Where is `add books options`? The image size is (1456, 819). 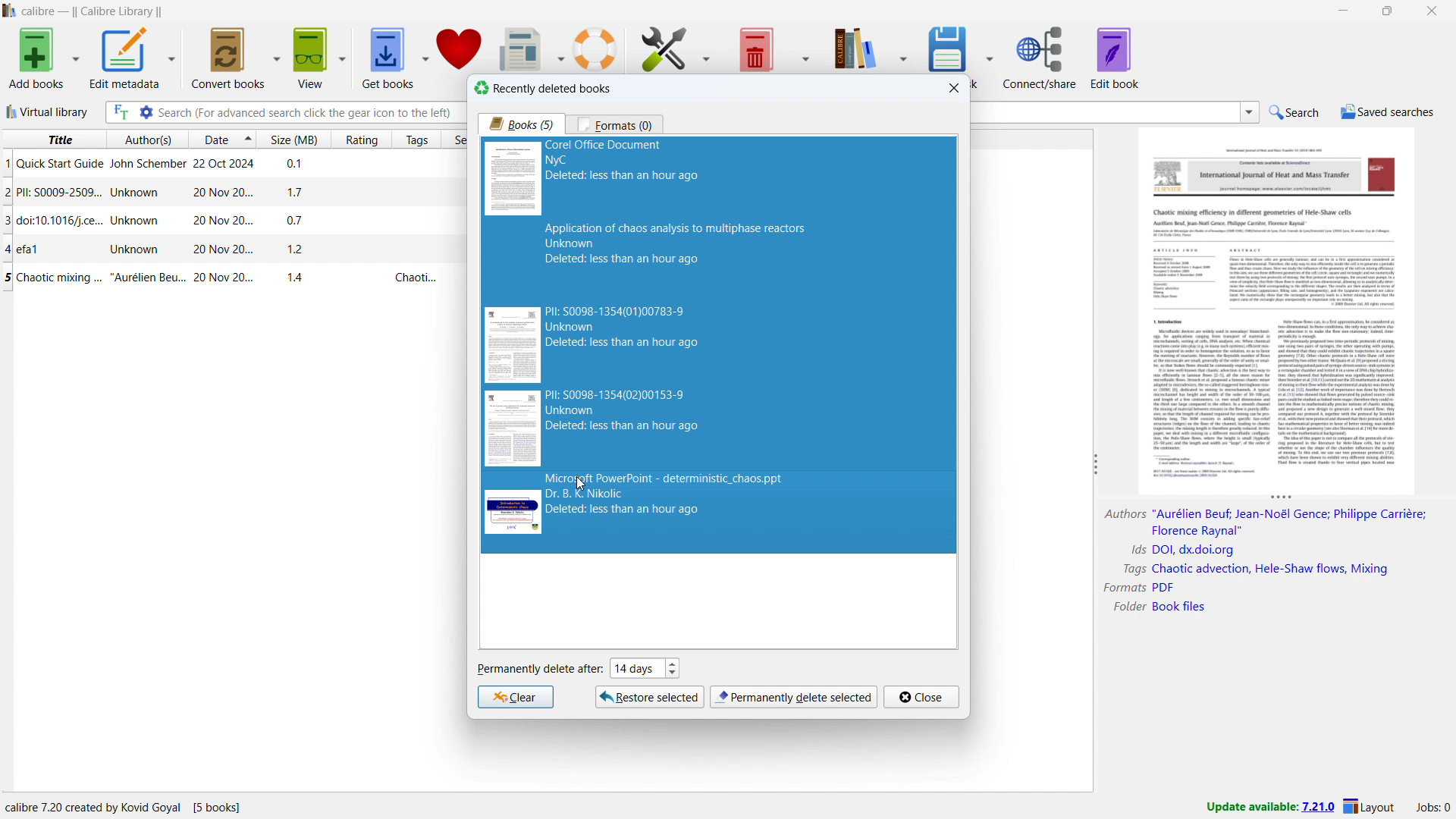
add books options is located at coordinates (75, 58).